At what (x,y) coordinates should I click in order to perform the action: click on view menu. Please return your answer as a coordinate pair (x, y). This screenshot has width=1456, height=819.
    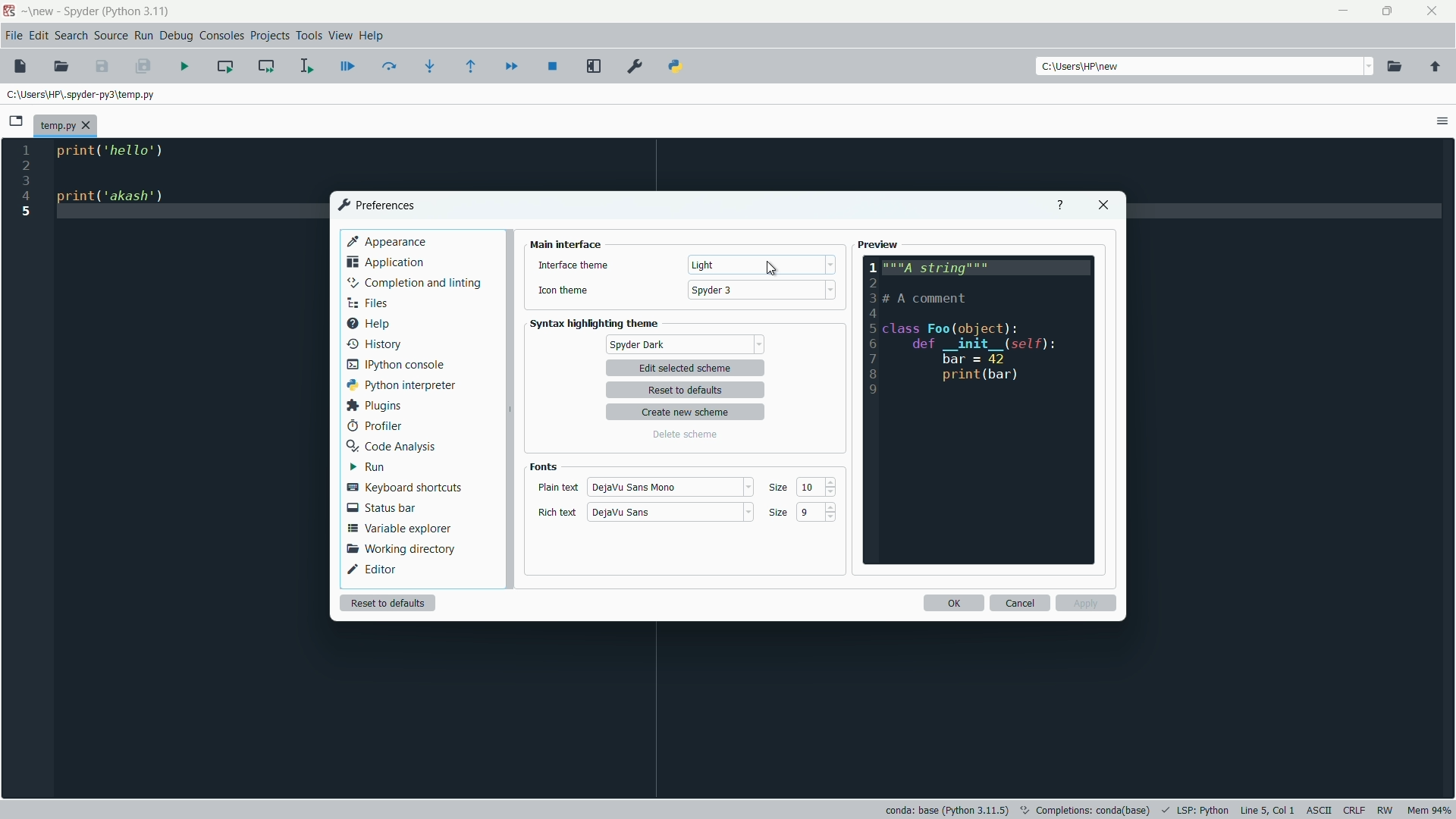
    Looking at the image, I should click on (340, 36).